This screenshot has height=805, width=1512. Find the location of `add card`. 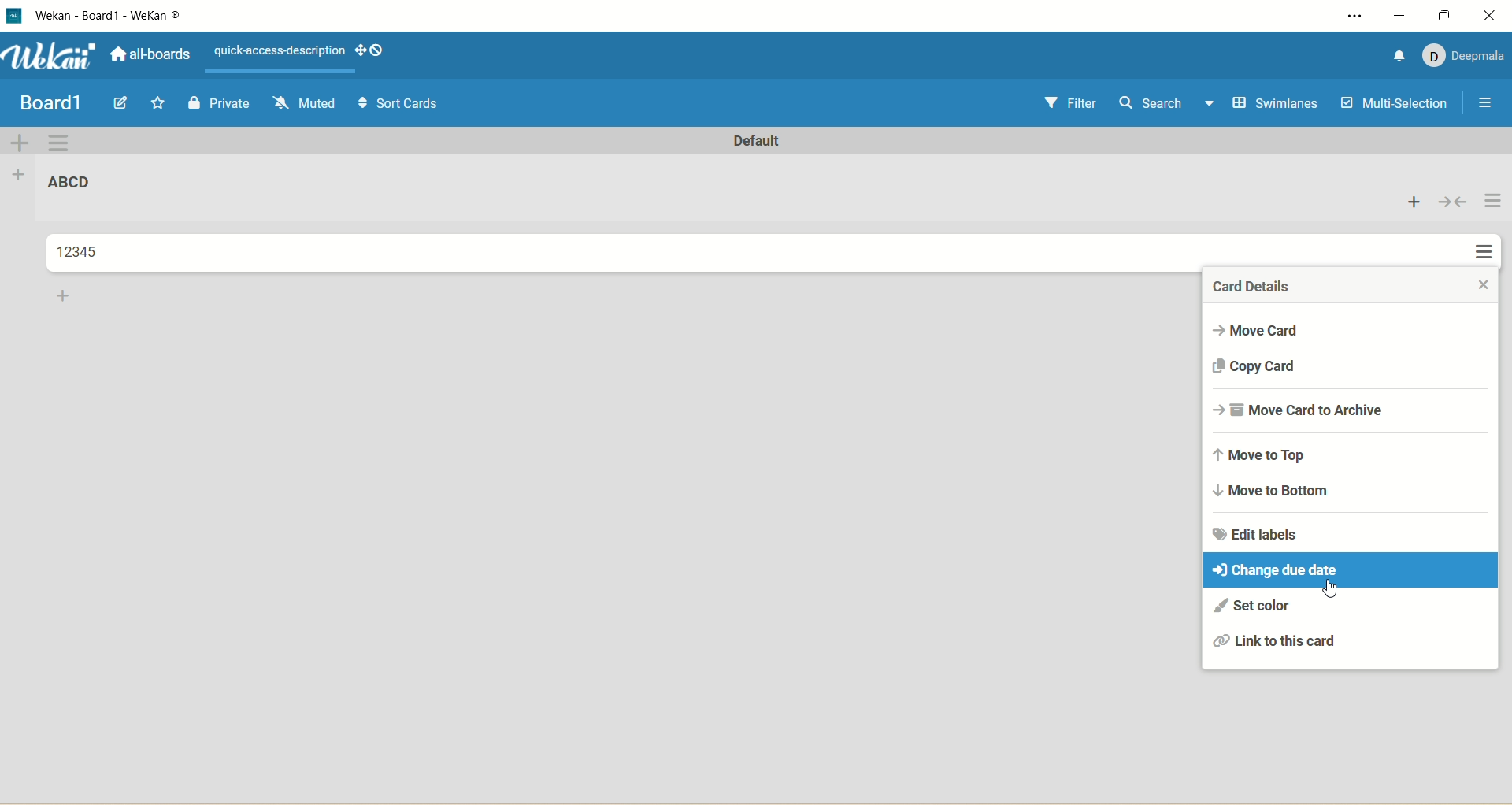

add card is located at coordinates (65, 298).